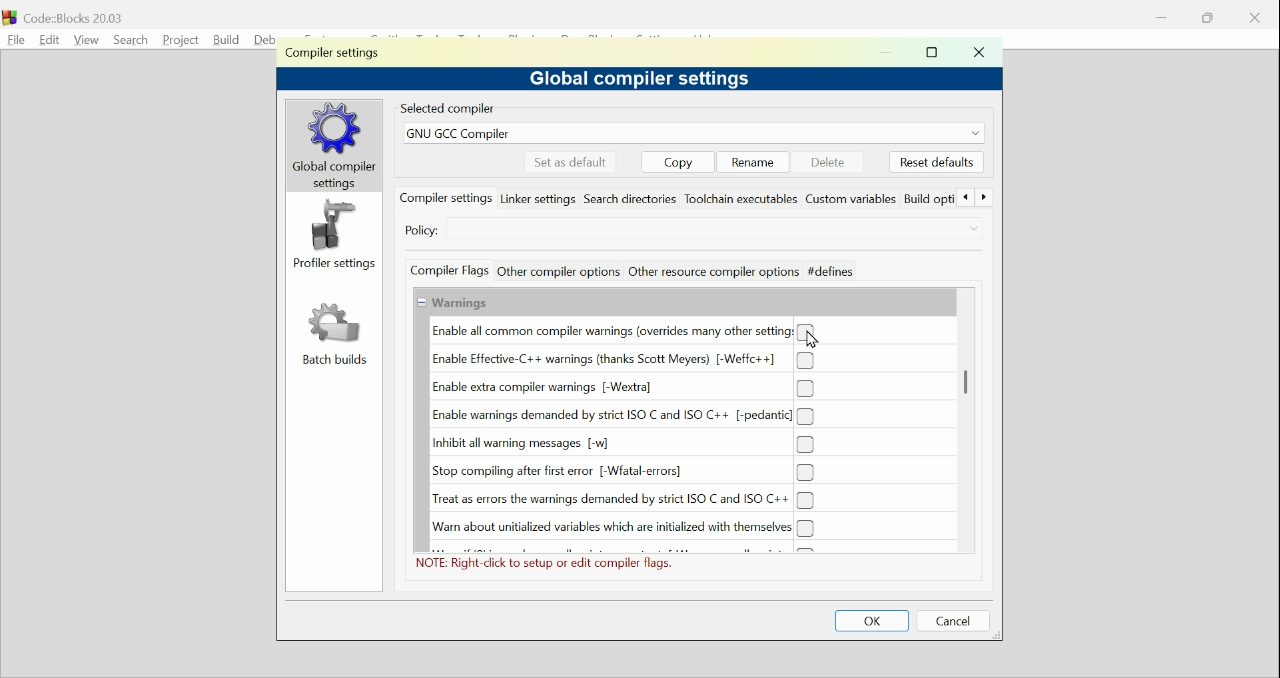  Describe the element at coordinates (65, 15) in the screenshot. I see `Code blocks 20.03` at that location.